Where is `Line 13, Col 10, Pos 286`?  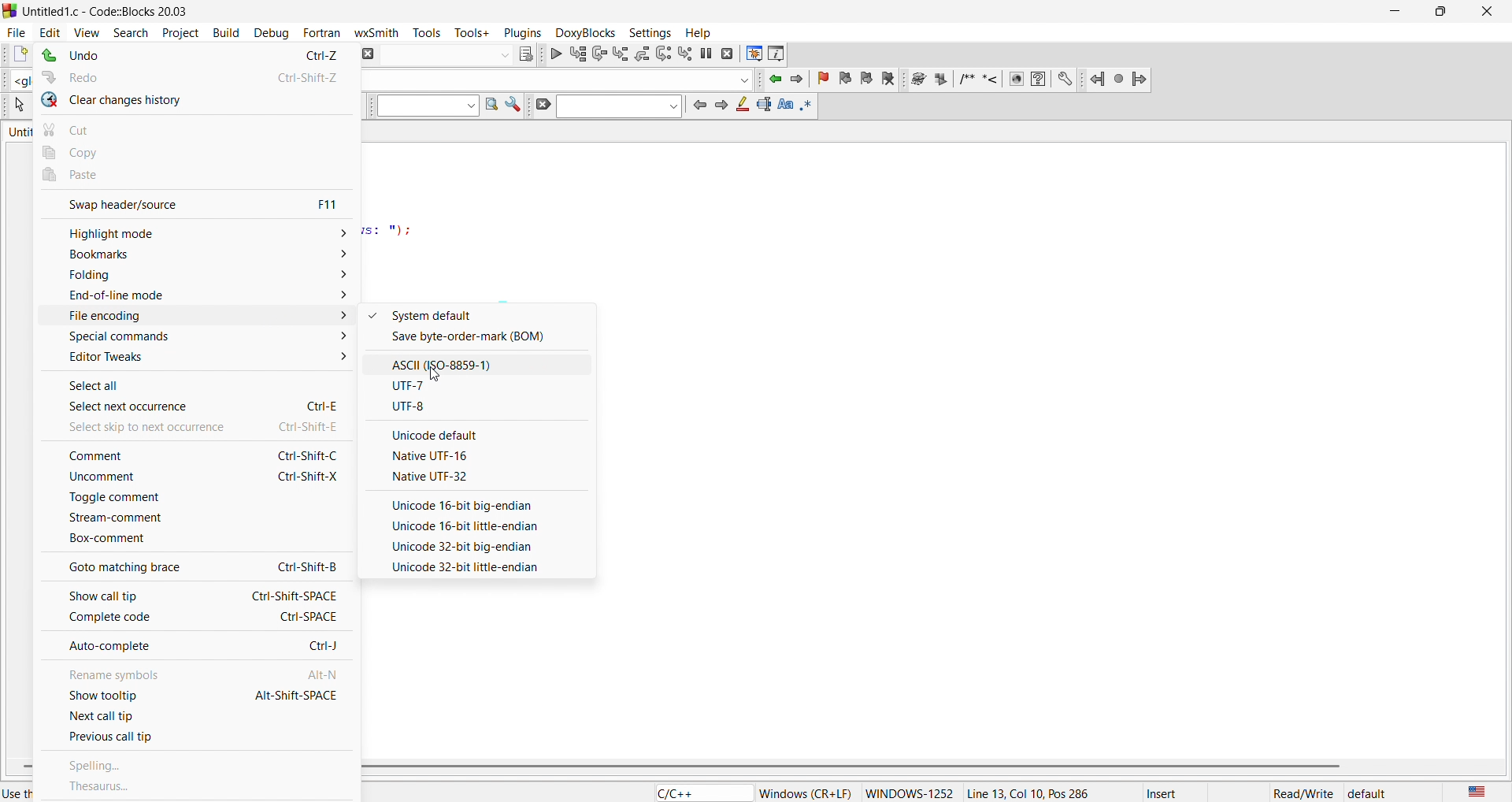 Line 13, Col 10, Pos 286 is located at coordinates (1036, 794).